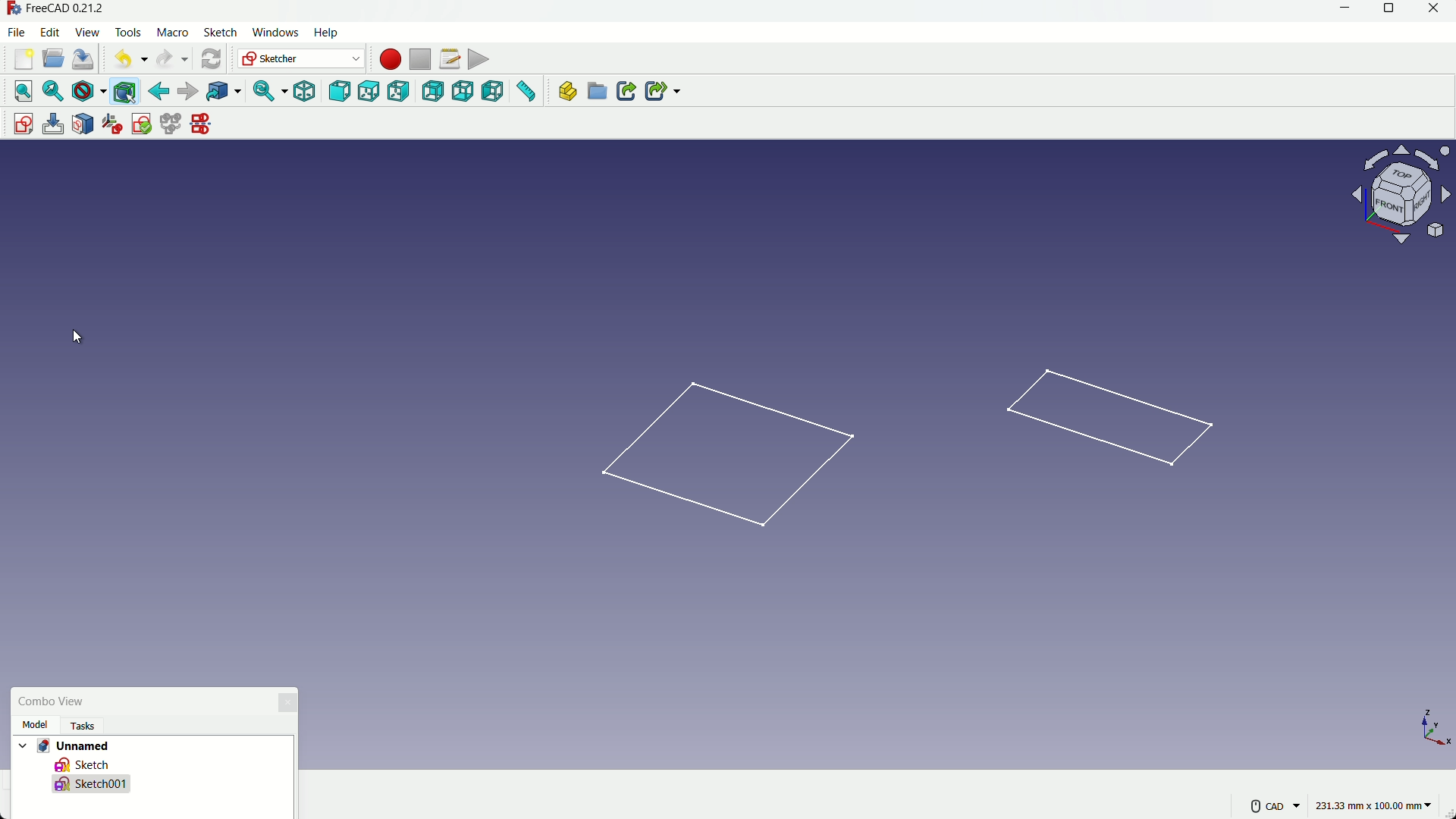 Image resolution: width=1456 pixels, height=819 pixels. I want to click on create group, so click(596, 89).